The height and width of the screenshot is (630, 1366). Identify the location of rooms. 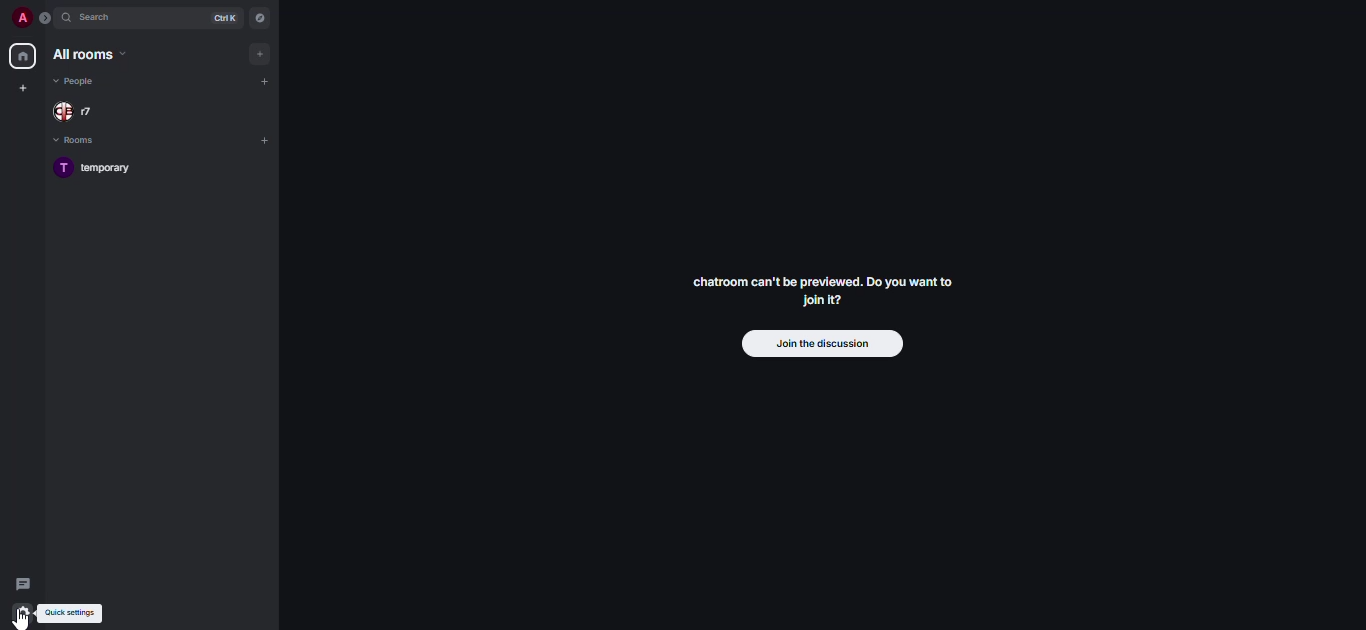
(80, 140).